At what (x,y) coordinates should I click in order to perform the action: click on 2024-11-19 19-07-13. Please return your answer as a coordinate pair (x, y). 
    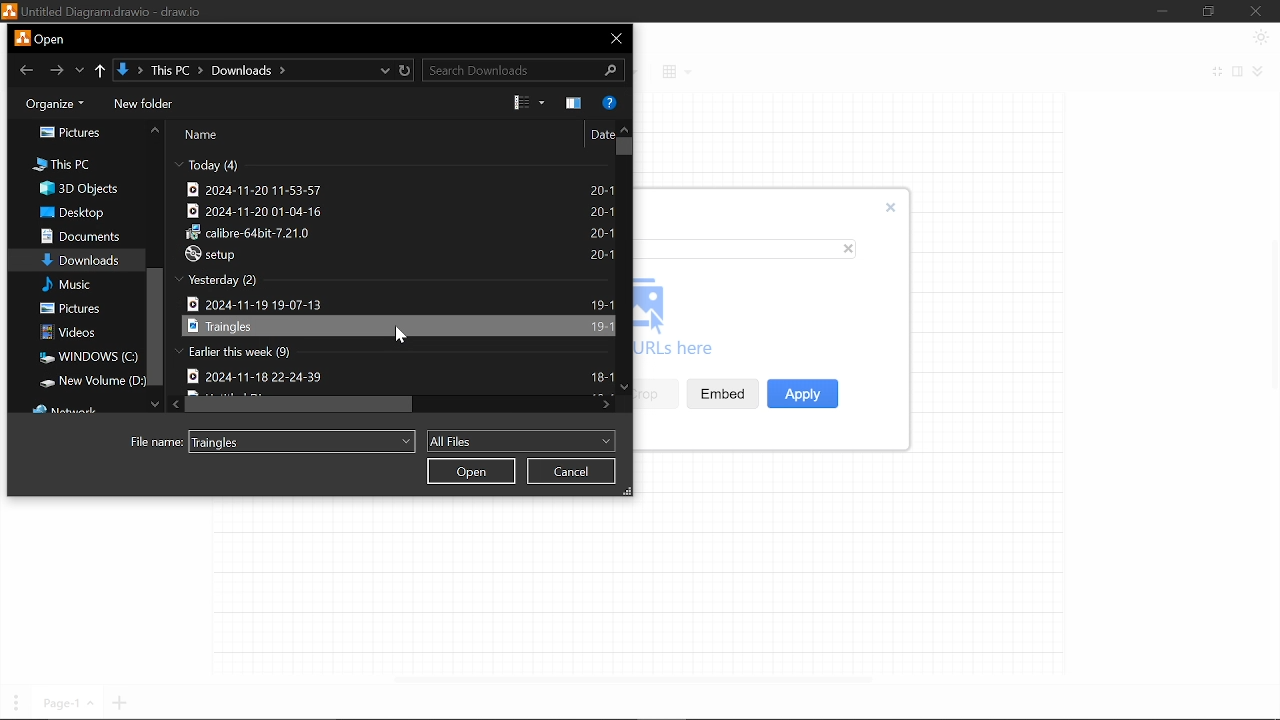
    Looking at the image, I should click on (282, 305).